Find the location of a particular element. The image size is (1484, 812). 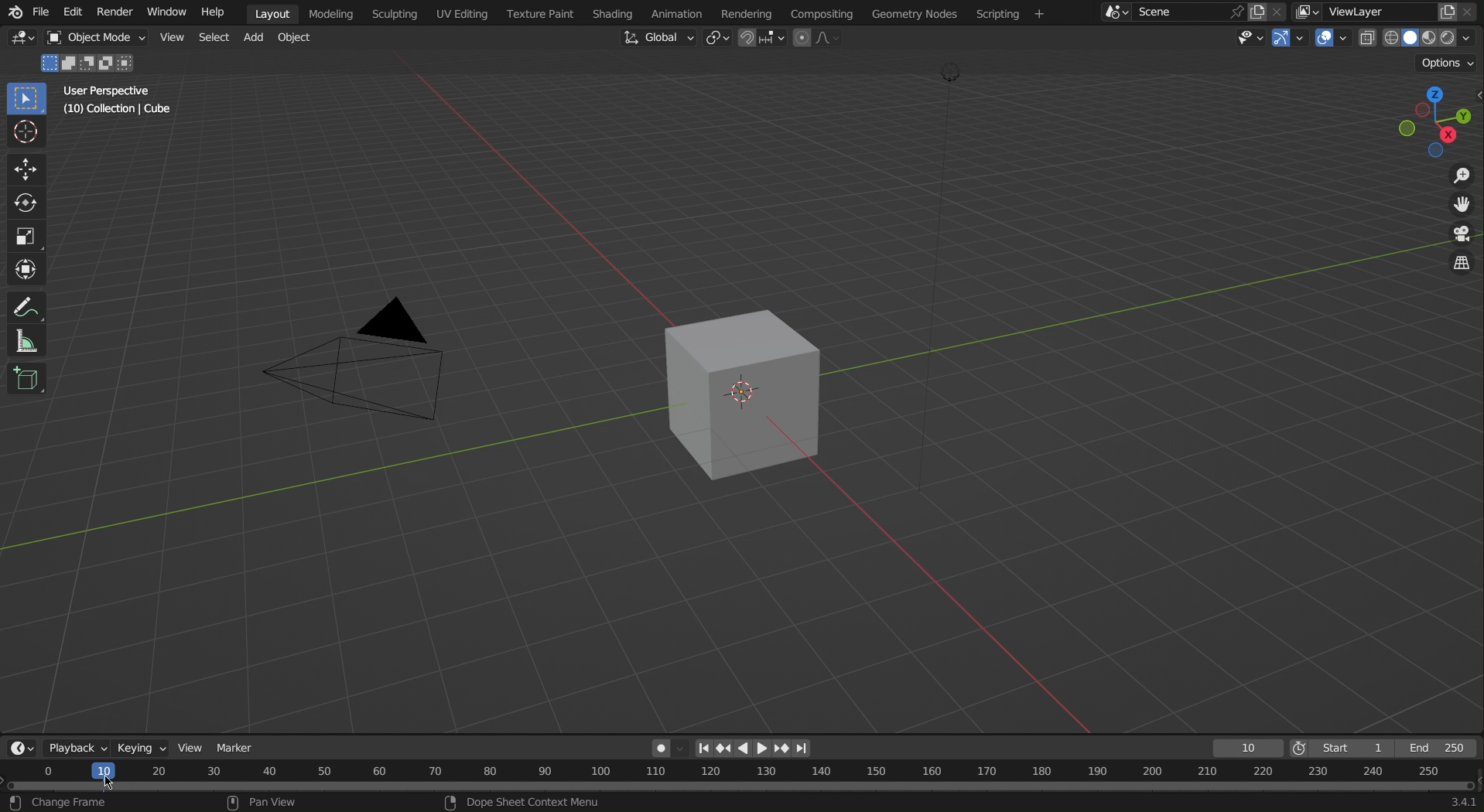

Transform Pivot Point is located at coordinates (720, 39).